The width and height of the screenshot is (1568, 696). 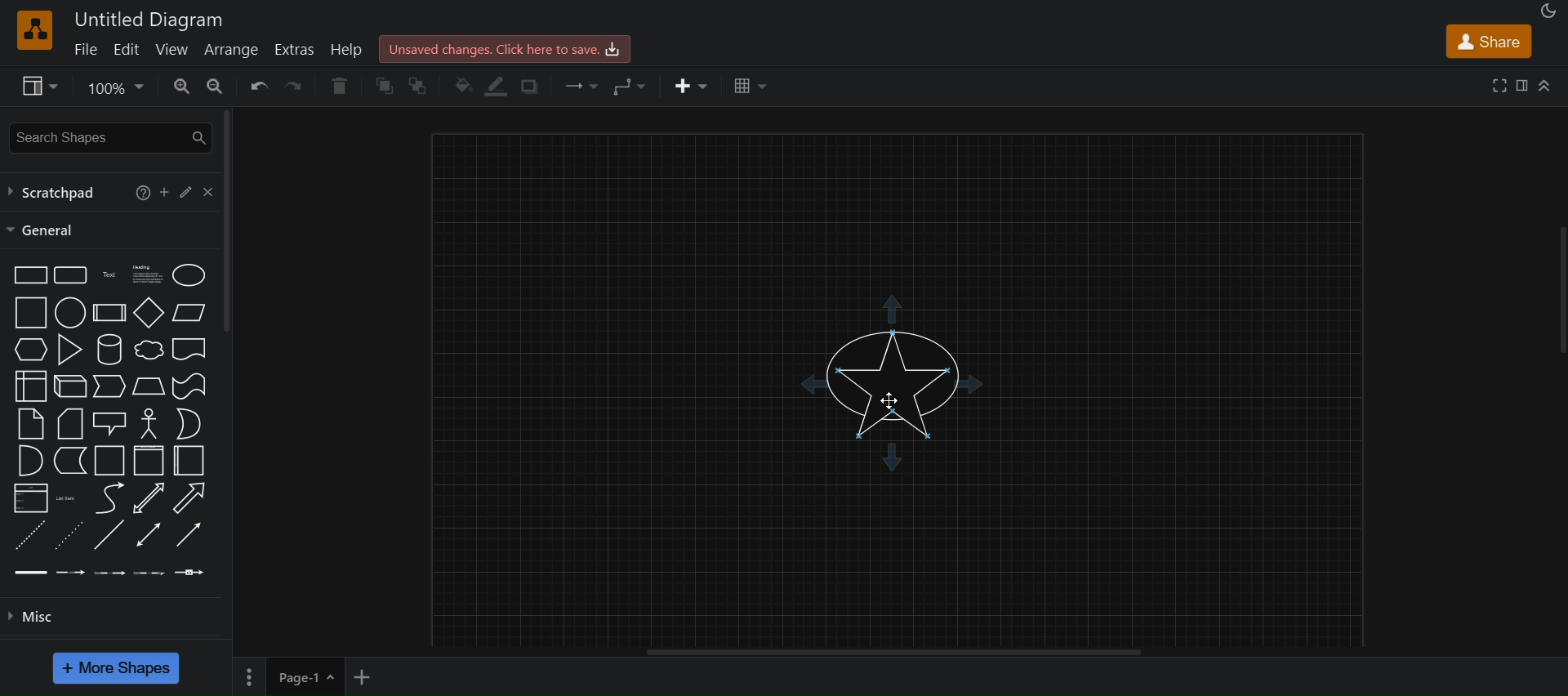 I want to click on circle, so click(x=70, y=313).